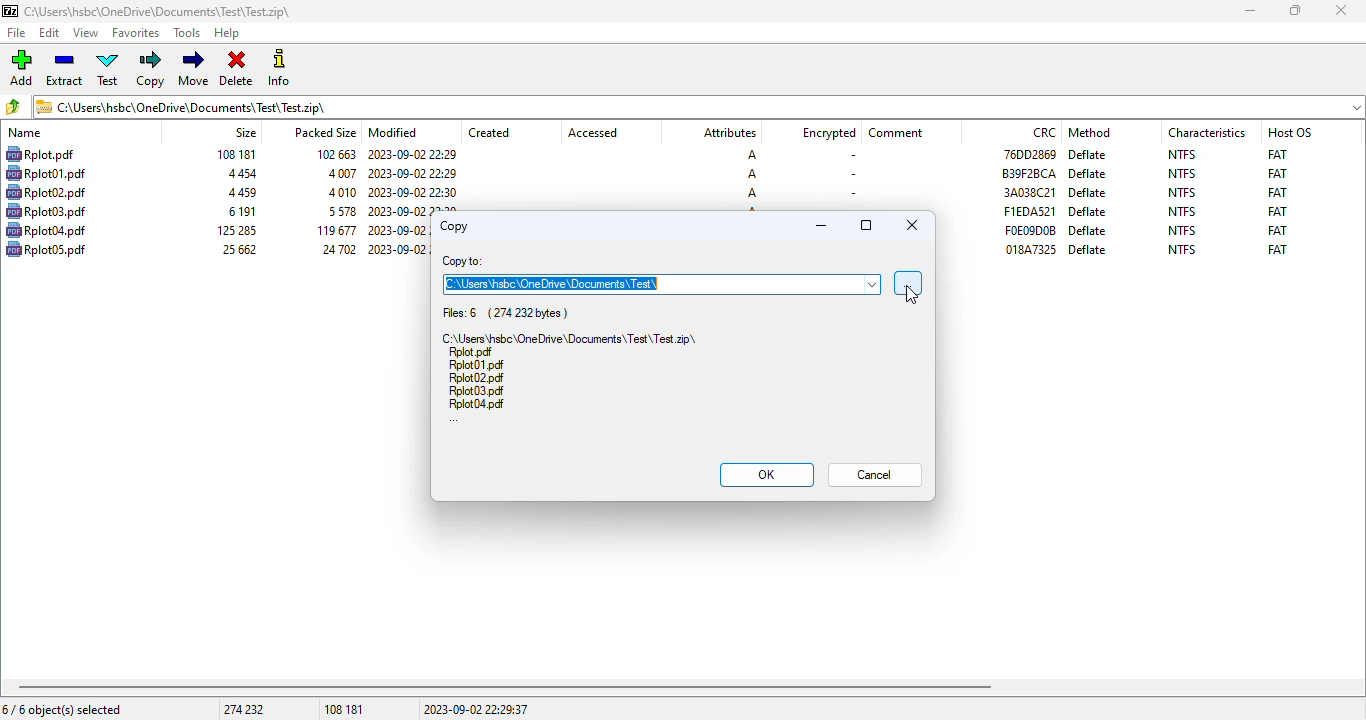  What do you see at coordinates (46, 248) in the screenshot?
I see `file` at bounding box center [46, 248].